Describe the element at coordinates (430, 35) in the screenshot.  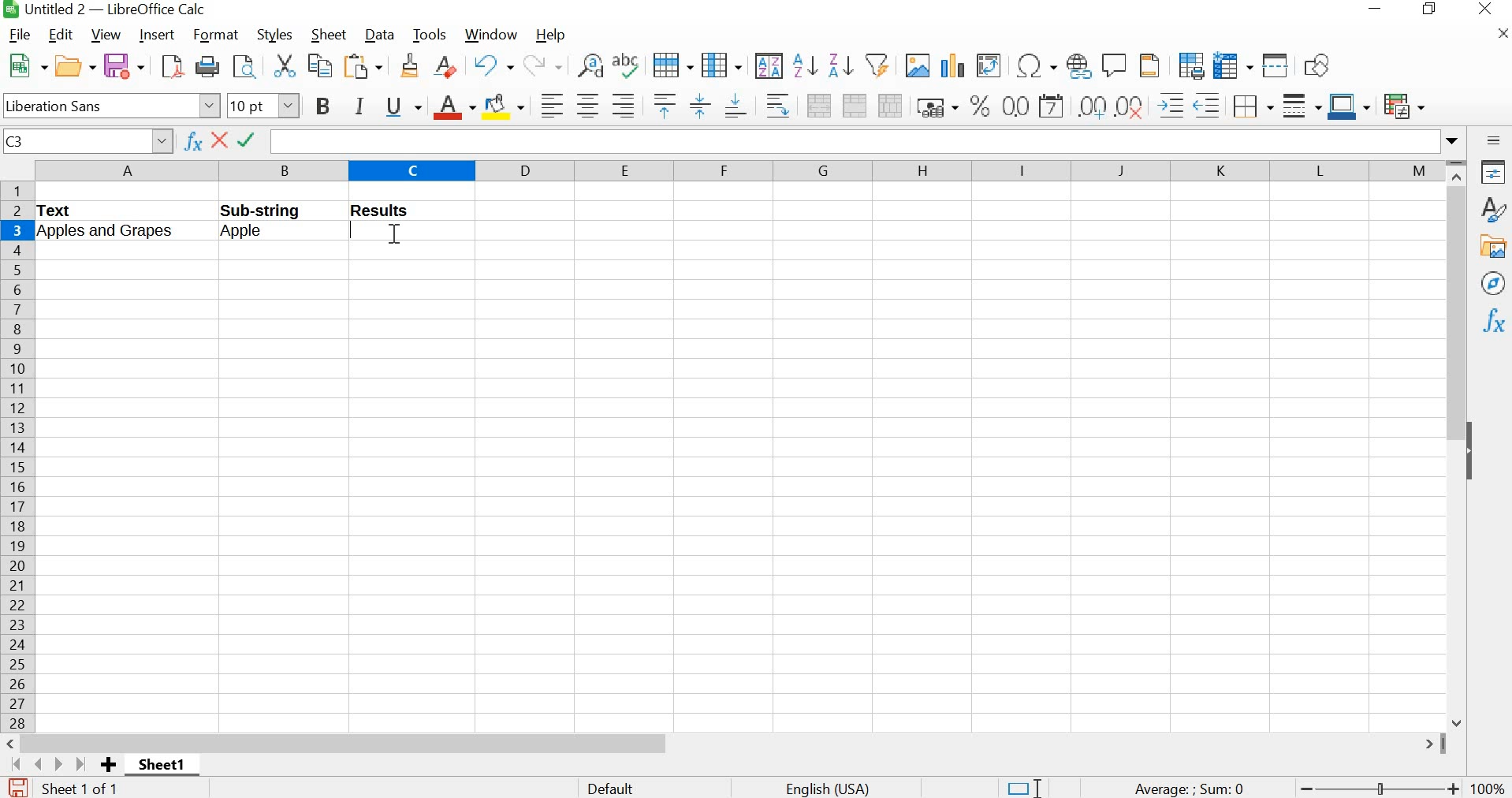
I see `tools` at that location.